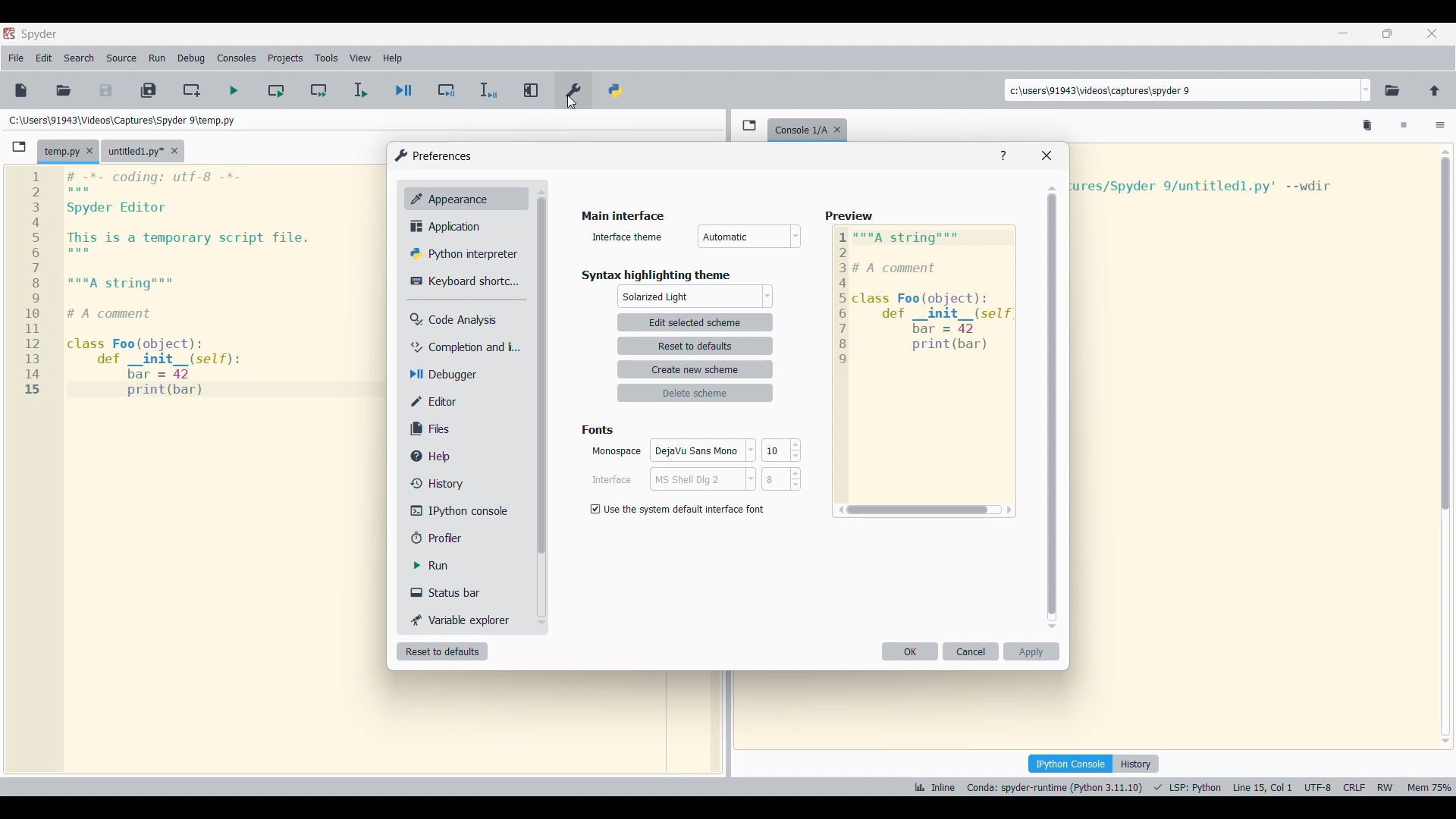 The height and width of the screenshot is (819, 1456). What do you see at coordinates (89, 151) in the screenshot?
I see `Close tab` at bounding box center [89, 151].